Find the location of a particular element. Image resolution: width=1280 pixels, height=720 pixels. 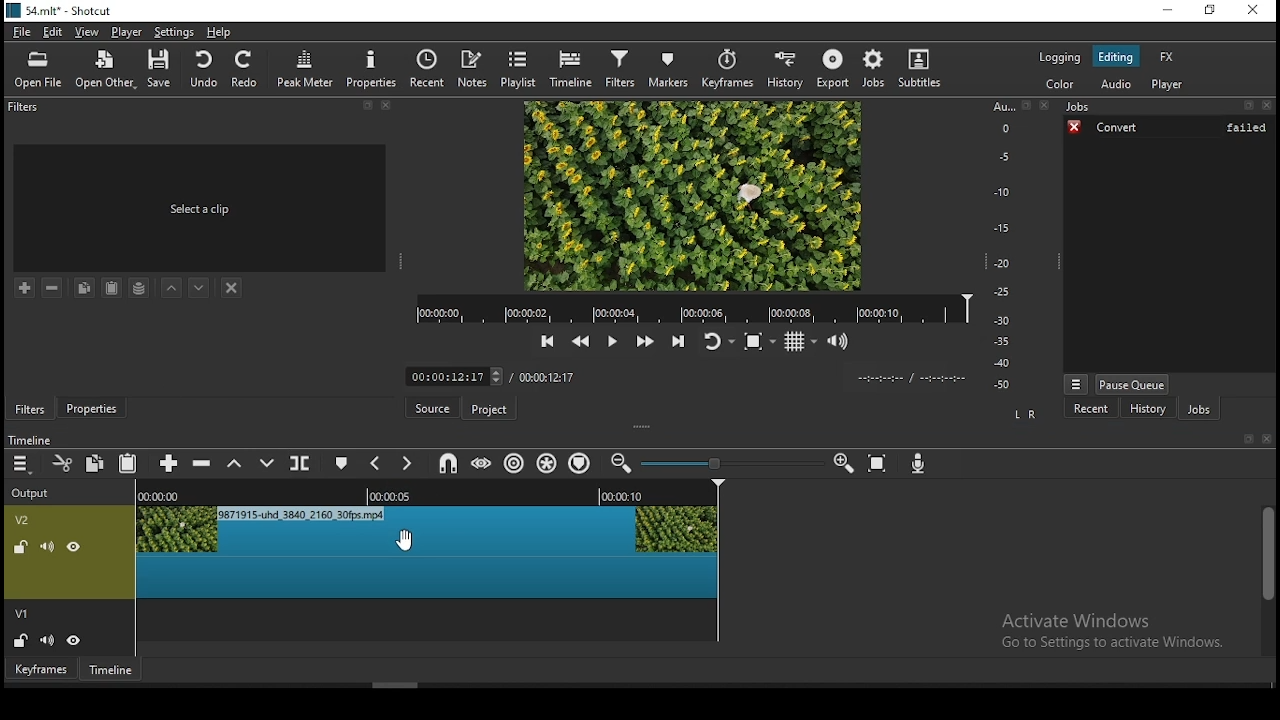

video track is located at coordinates (427, 626).